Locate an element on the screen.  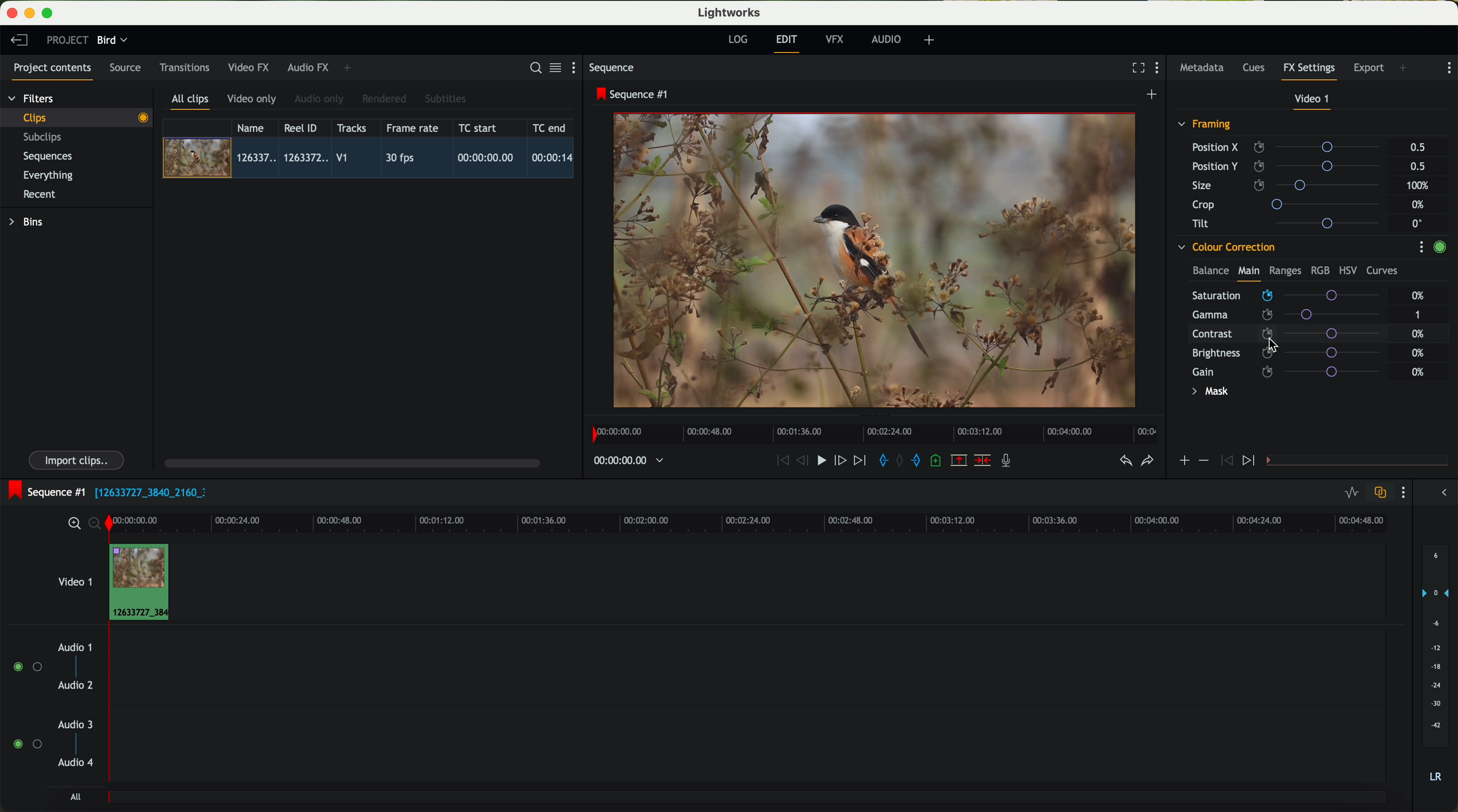
audio 3 is located at coordinates (70, 724).